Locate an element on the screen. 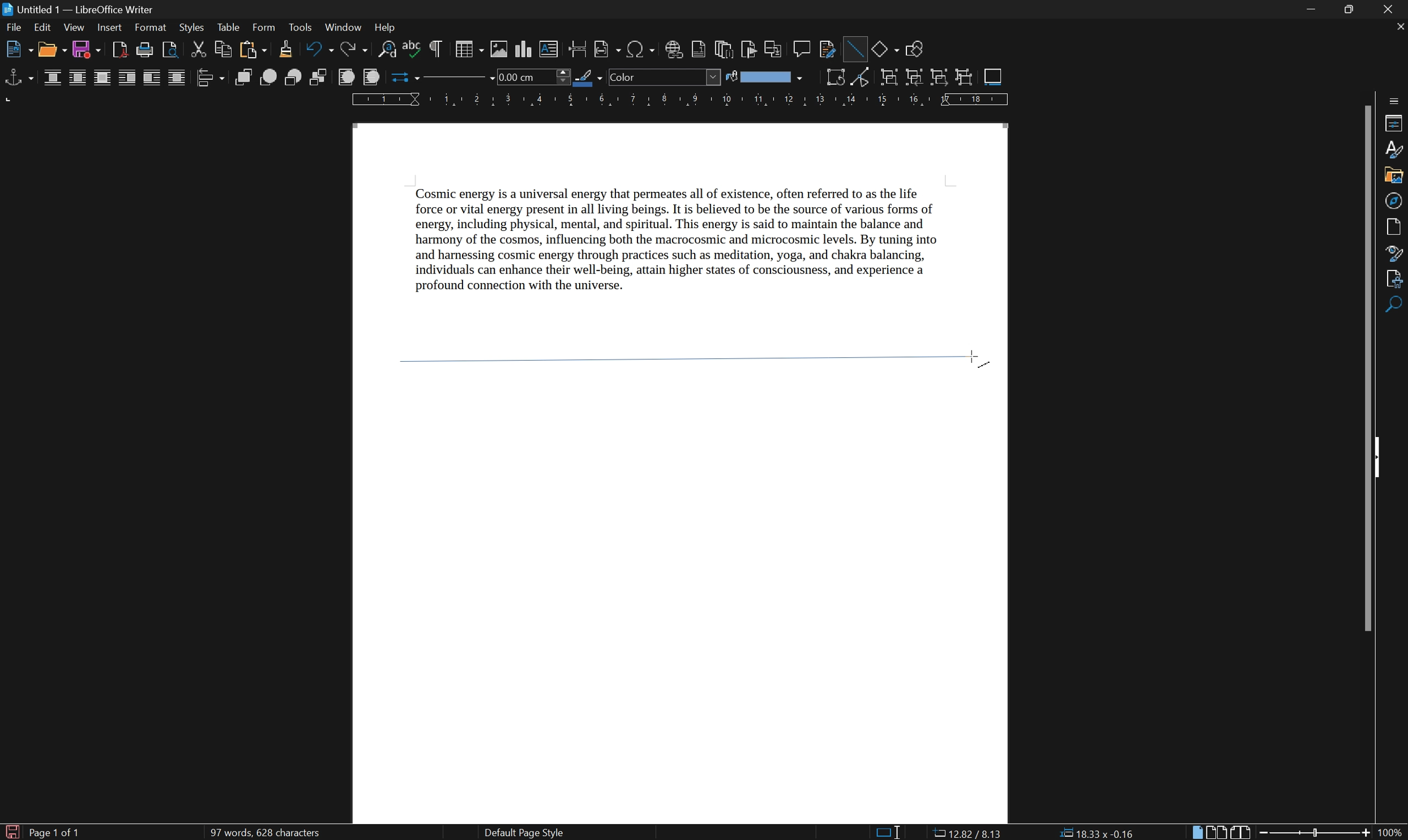 The image size is (1408, 840). undo is located at coordinates (320, 50).